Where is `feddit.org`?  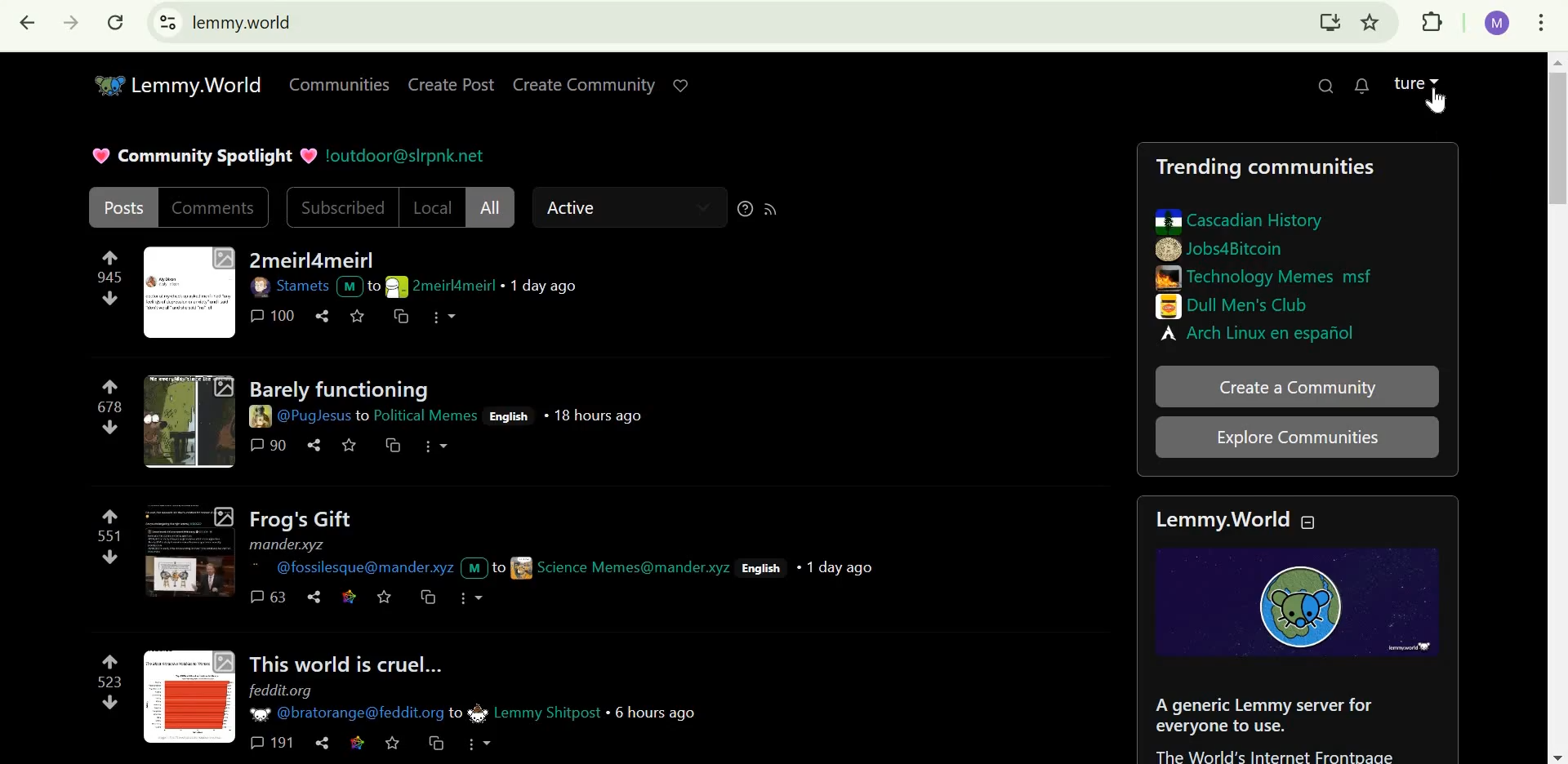 feddit.org is located at coordinates (285, 691).